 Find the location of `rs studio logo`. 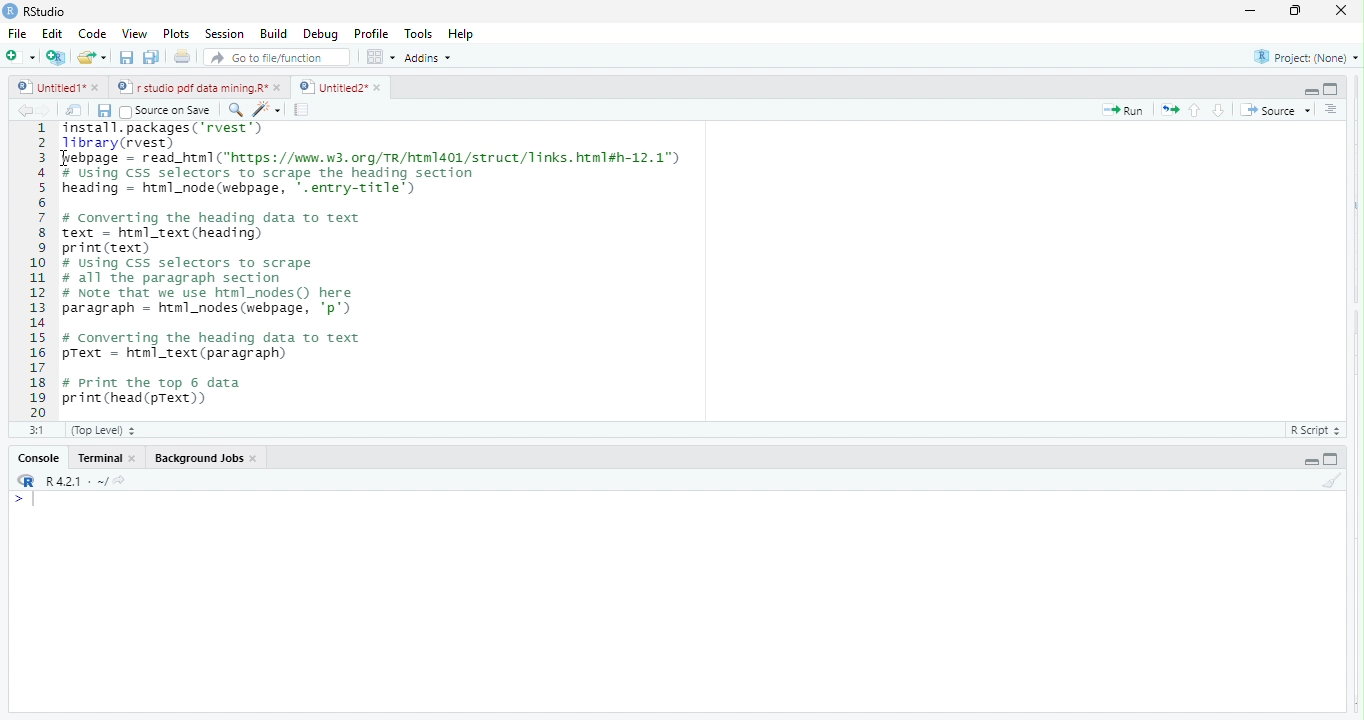

rs studio logo is located at coordinates (10, 10).